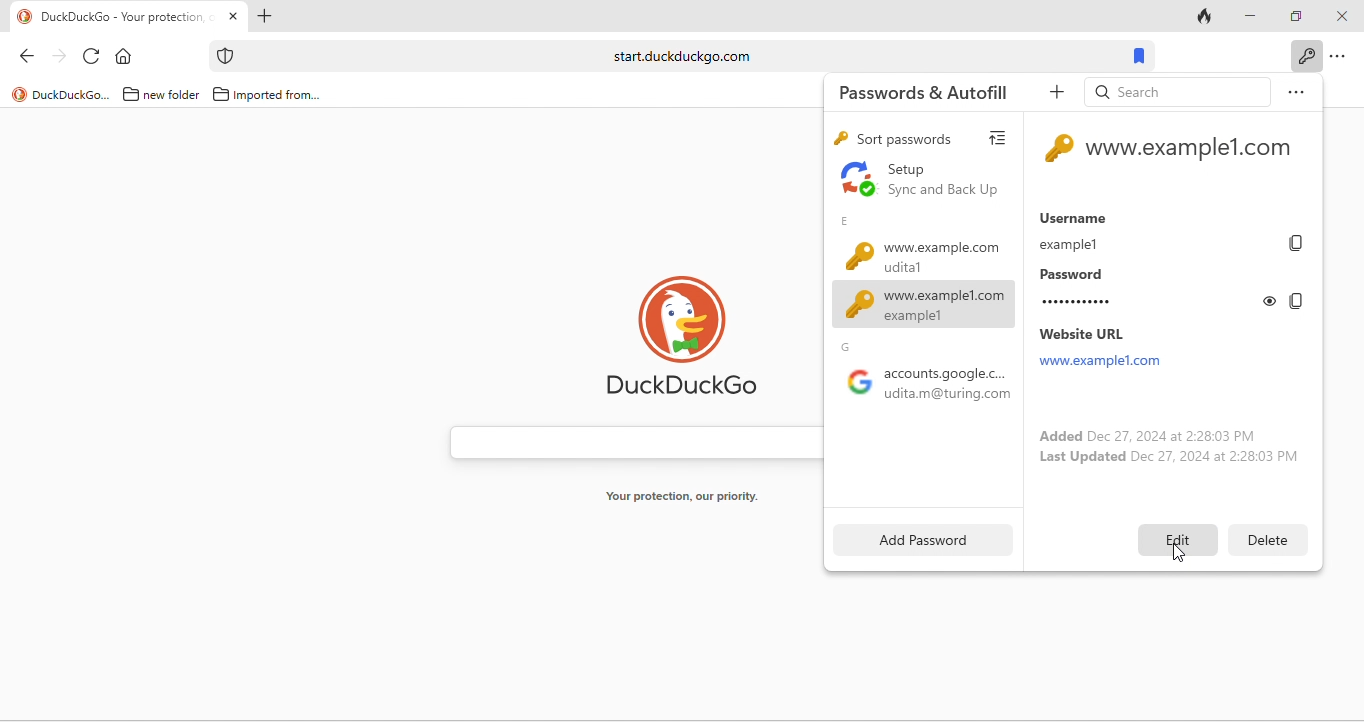  What do you see at coordinates (929, 388) in the screenshot?
I see `google accounts` at bounding box center [929, 388].